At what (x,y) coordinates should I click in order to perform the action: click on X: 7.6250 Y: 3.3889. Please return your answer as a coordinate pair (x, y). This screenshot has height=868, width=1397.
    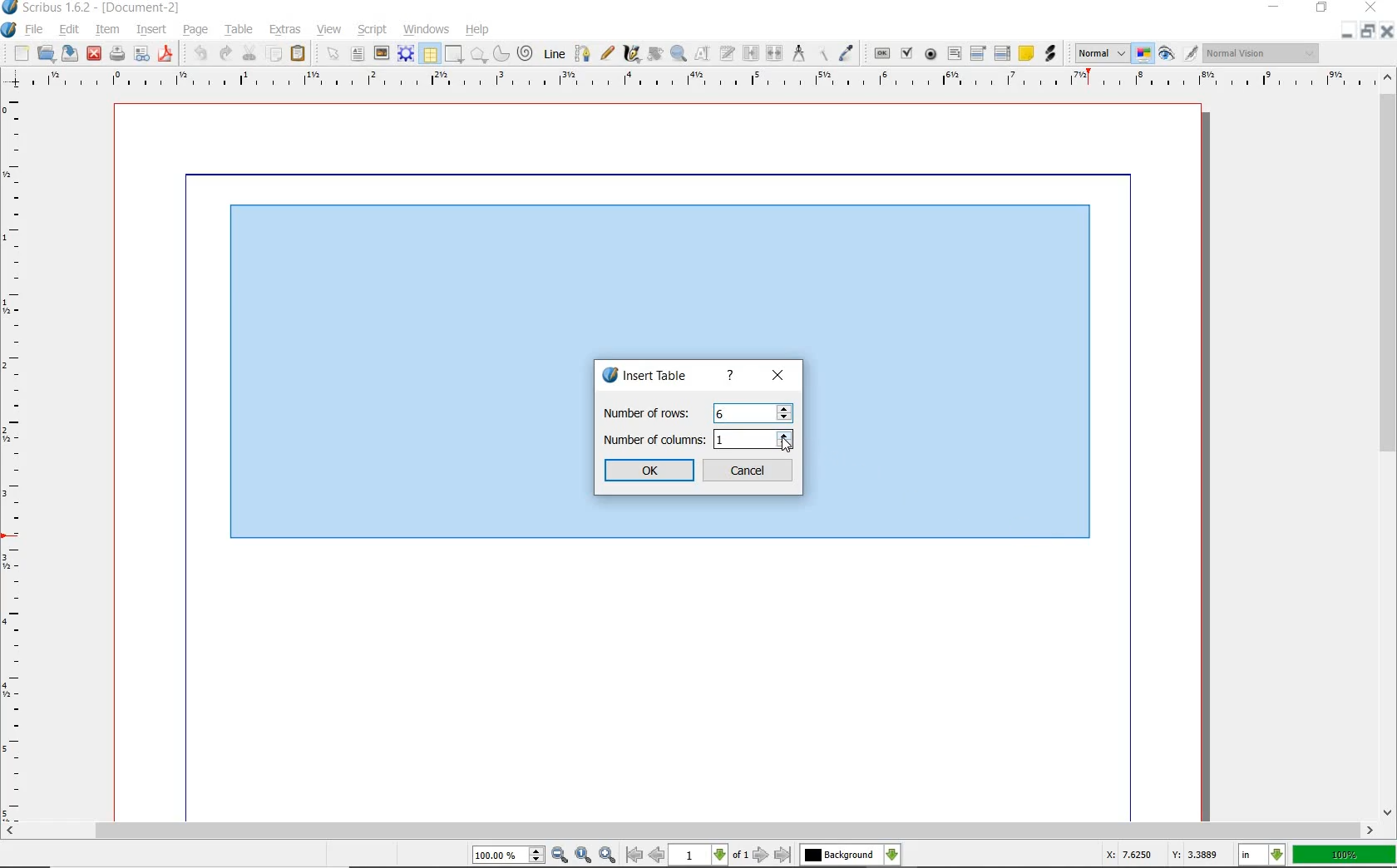
    Looking at the image, I should click on (1163, 855).